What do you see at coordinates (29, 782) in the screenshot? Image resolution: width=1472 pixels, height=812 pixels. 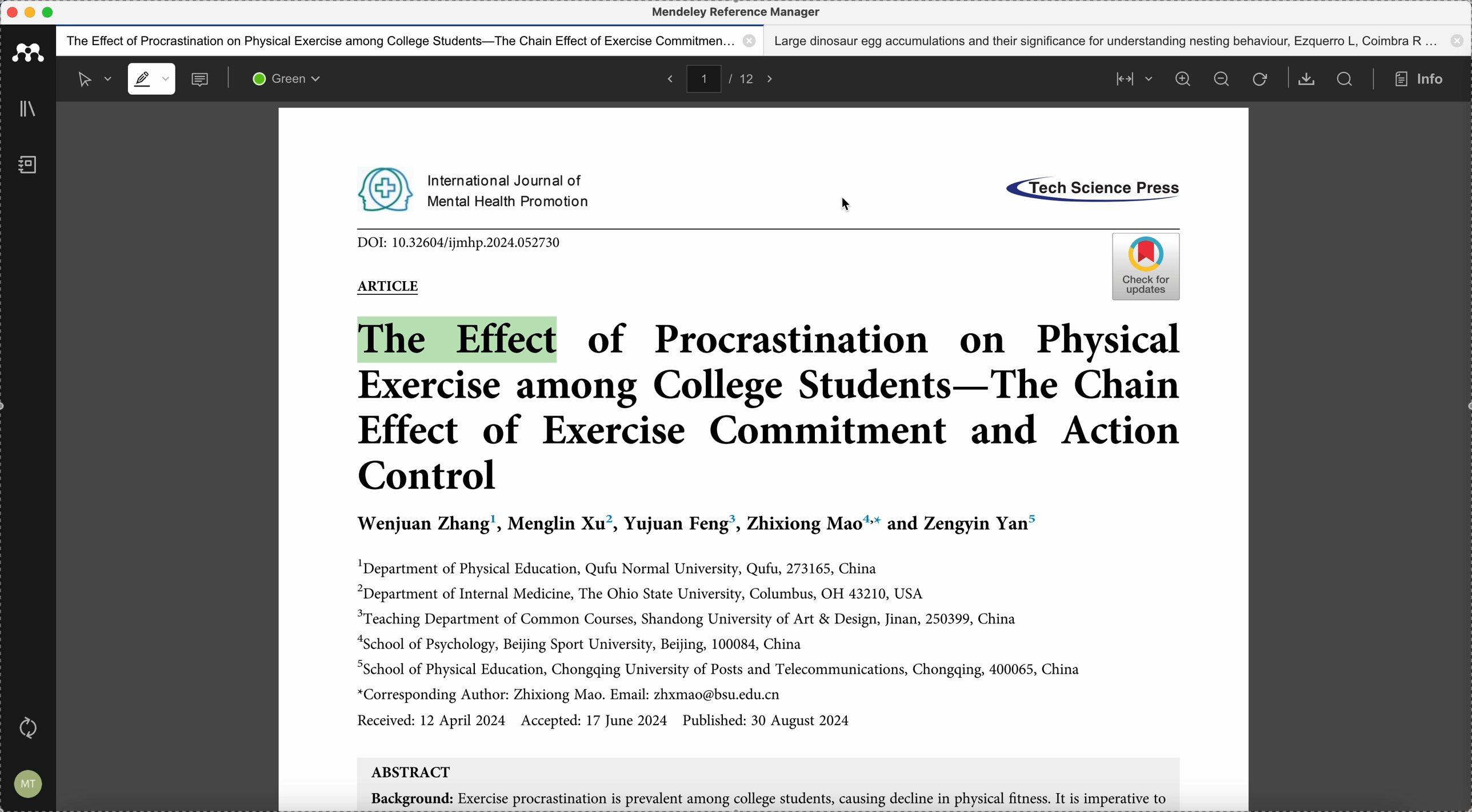 I see `account settings` at bounding box center [29, 782].